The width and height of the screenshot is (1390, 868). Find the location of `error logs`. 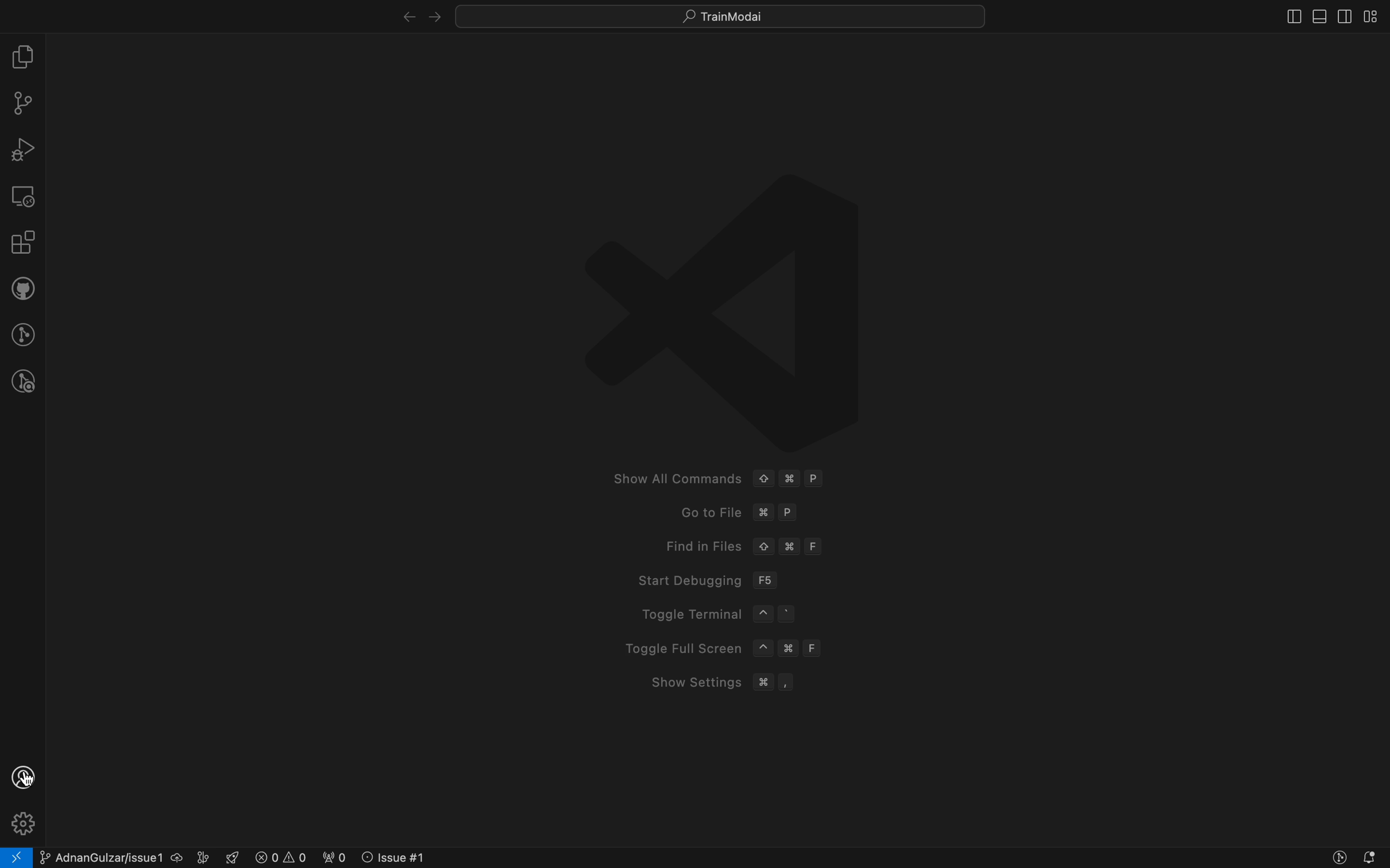

error logs is located at coordinates (333, 857).